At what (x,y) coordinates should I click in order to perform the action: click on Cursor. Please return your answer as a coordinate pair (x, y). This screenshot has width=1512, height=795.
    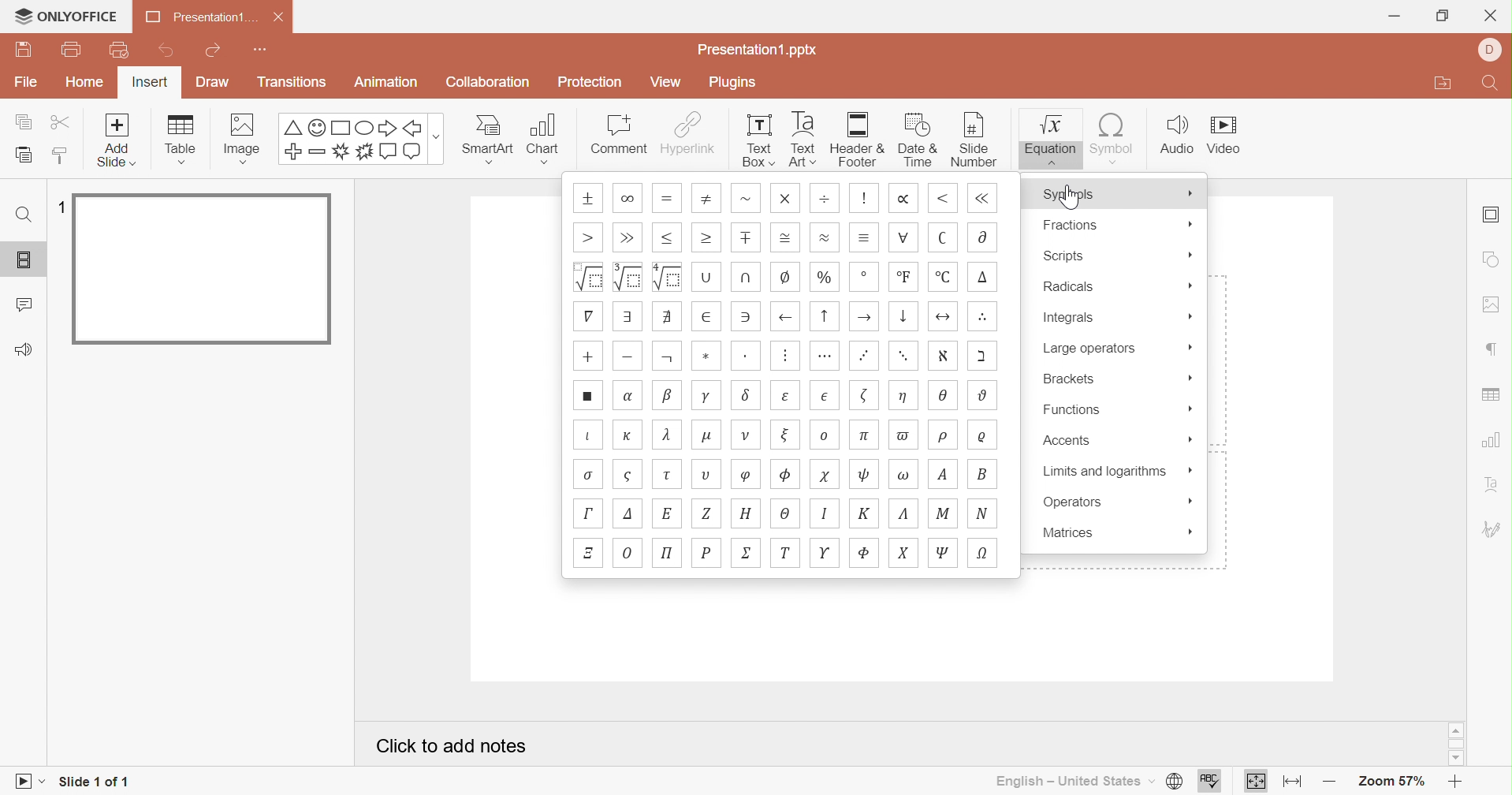
    Looking at the image, I should click on (1074, 198).